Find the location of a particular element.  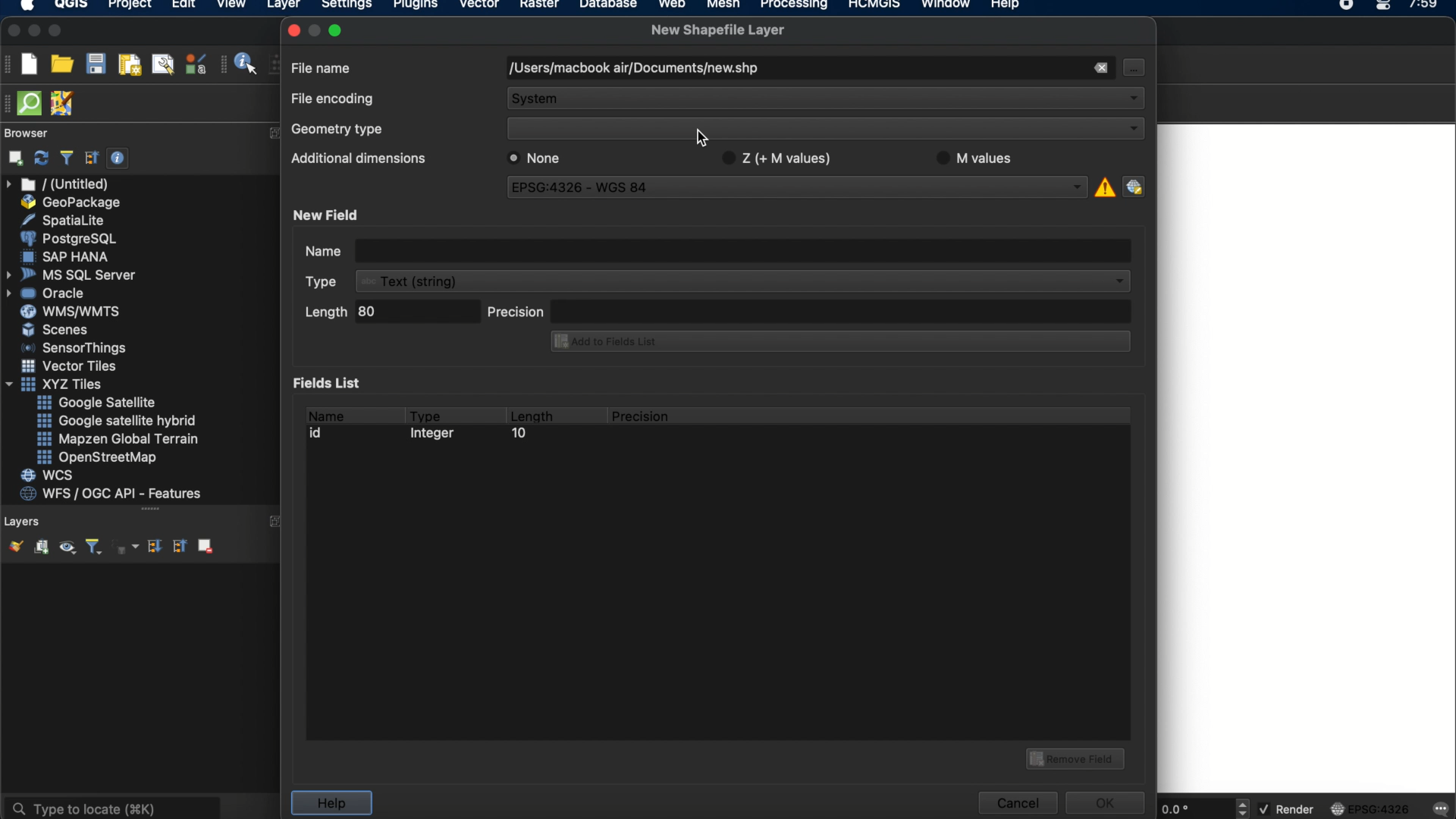

untitled is located at coordinates (59, 184).